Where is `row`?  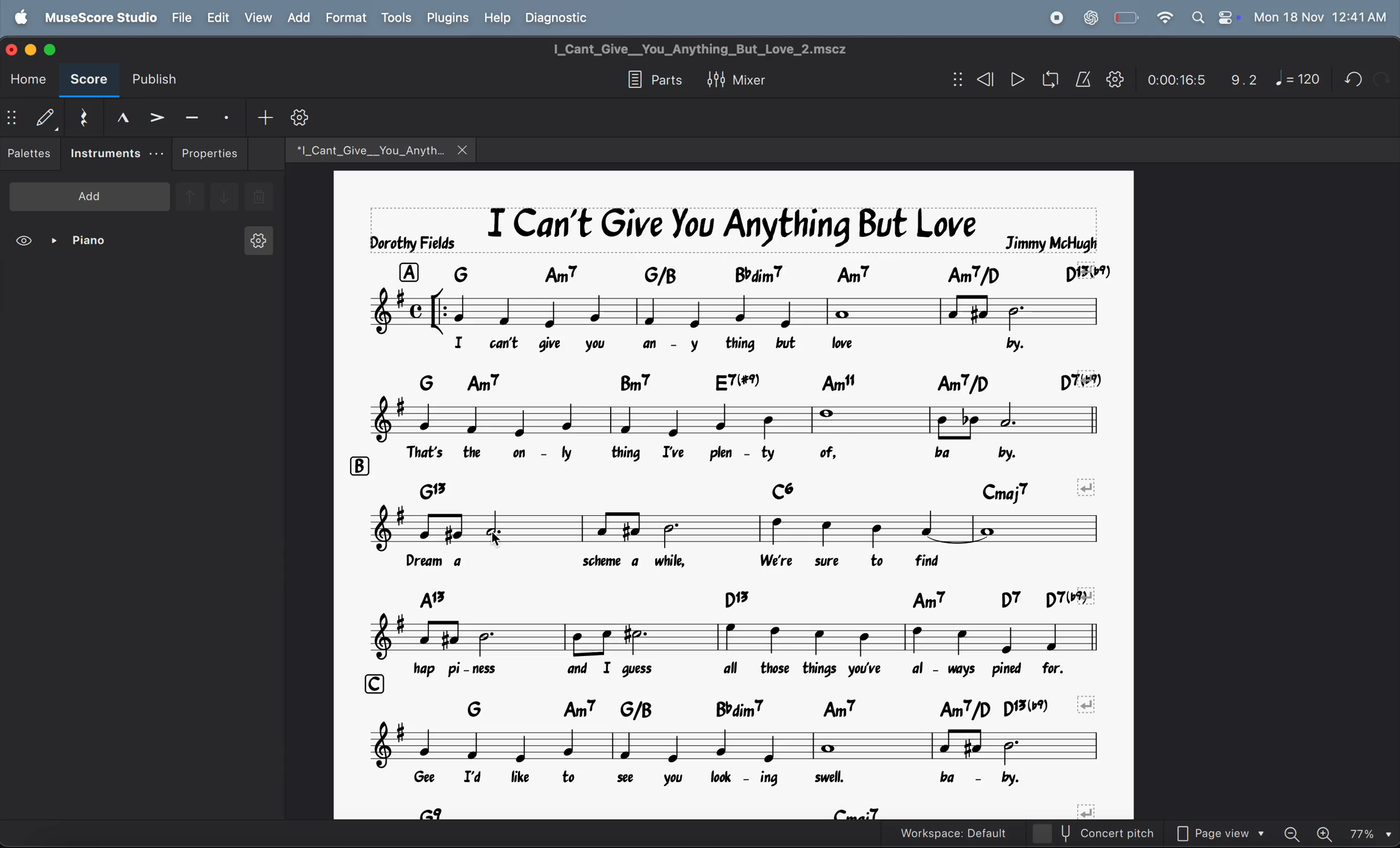
row is located at coordinates (369, 683).